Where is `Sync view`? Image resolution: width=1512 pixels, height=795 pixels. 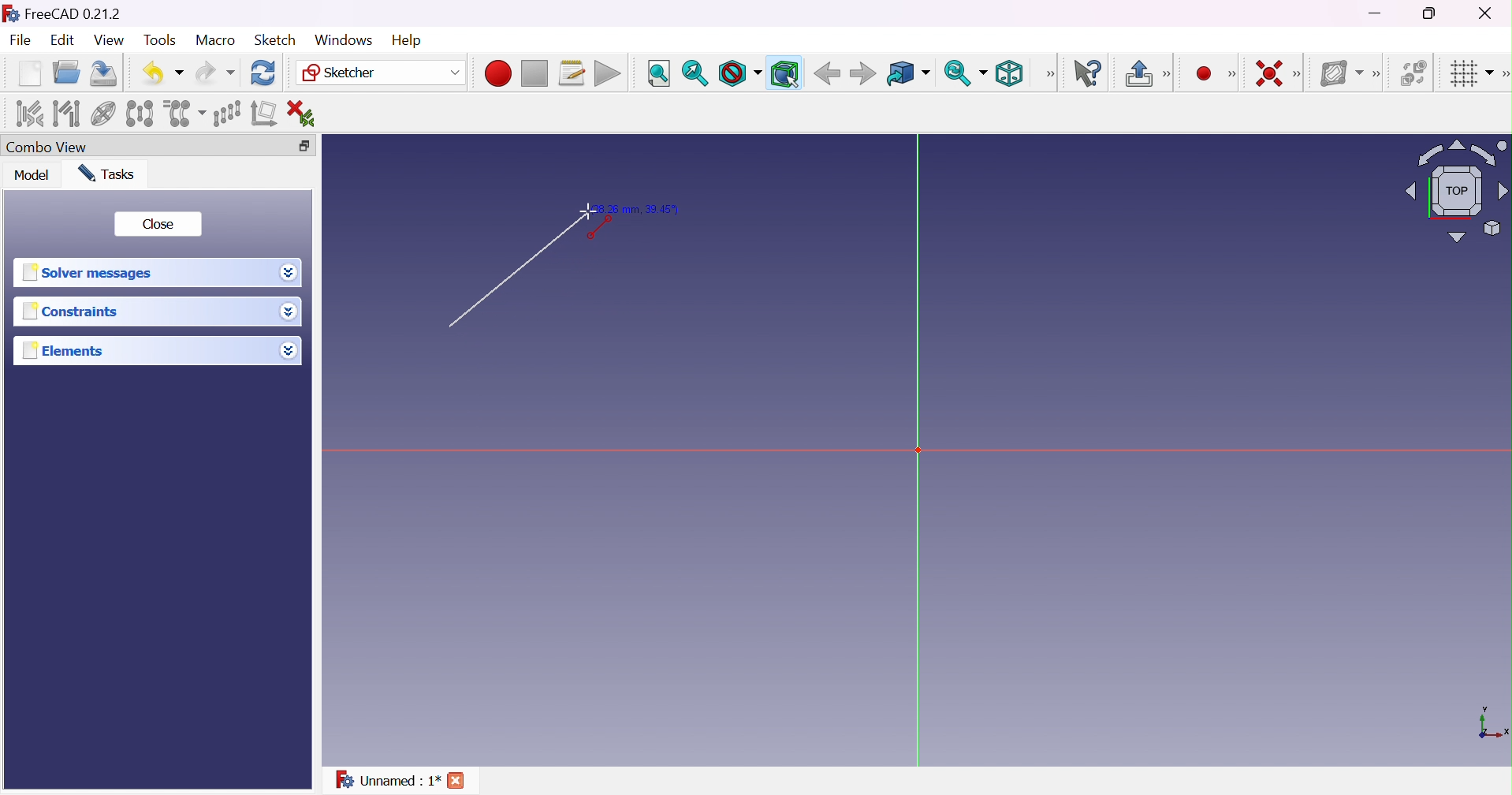
Sync view is located at coordinates (966, 73).